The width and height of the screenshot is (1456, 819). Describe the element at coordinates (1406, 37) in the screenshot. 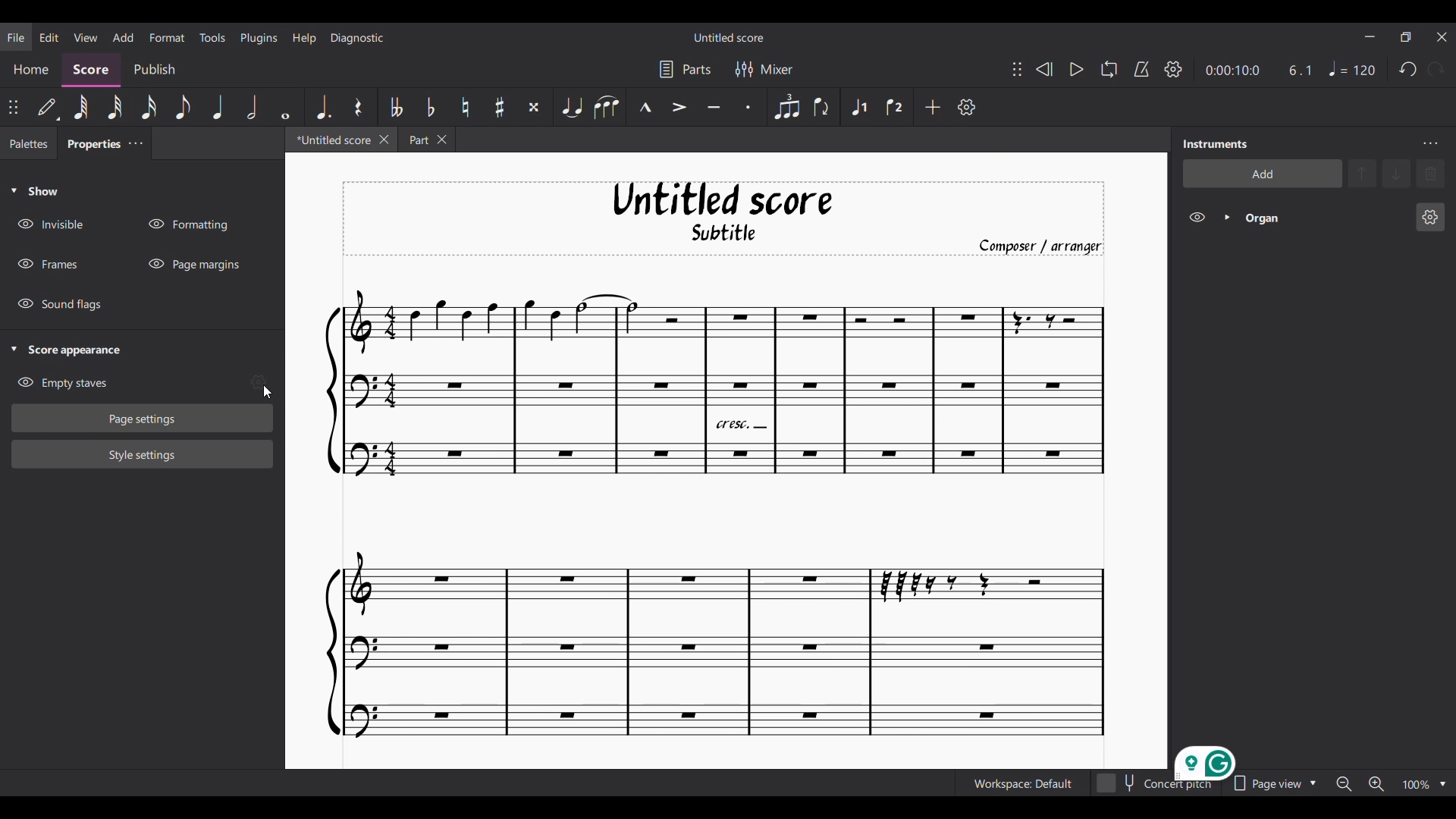

I see `Show interface in a smaller tab` at that location.